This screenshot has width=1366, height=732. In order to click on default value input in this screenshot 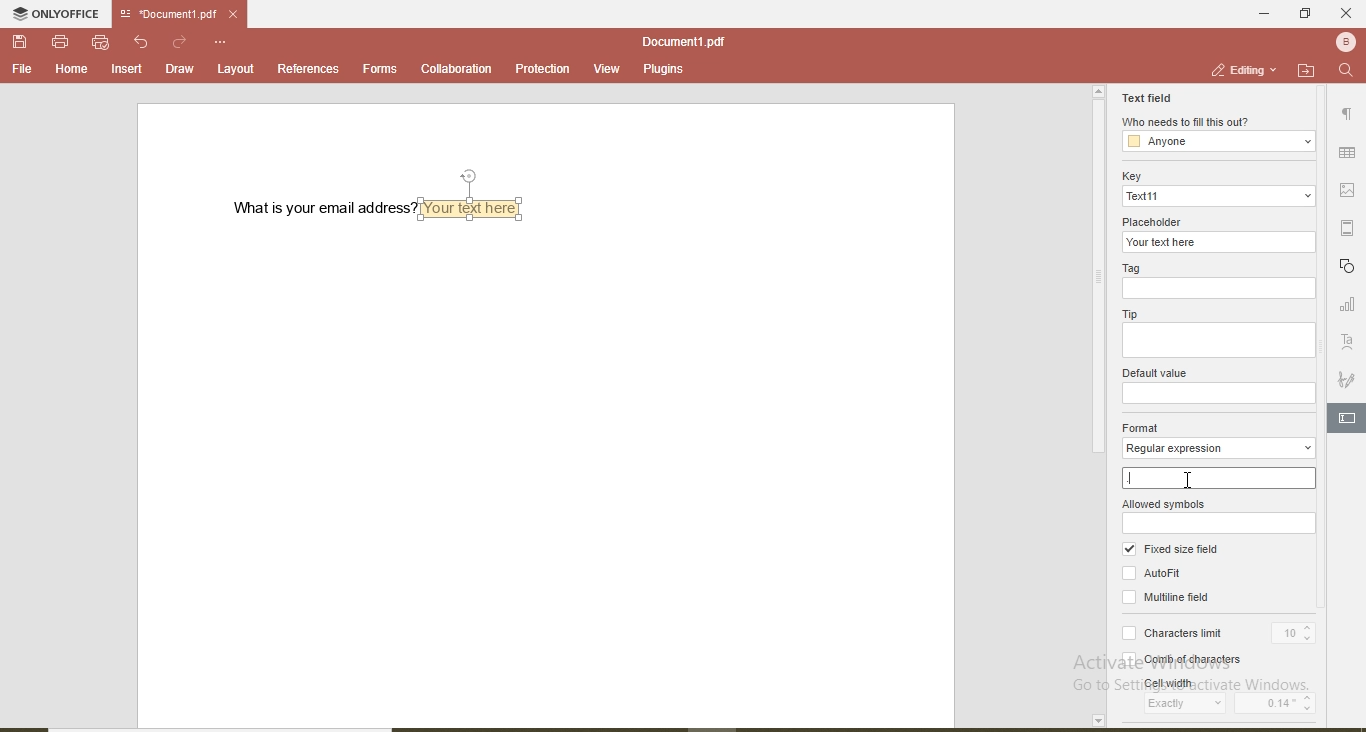, I will do `click(1220, 394)`.